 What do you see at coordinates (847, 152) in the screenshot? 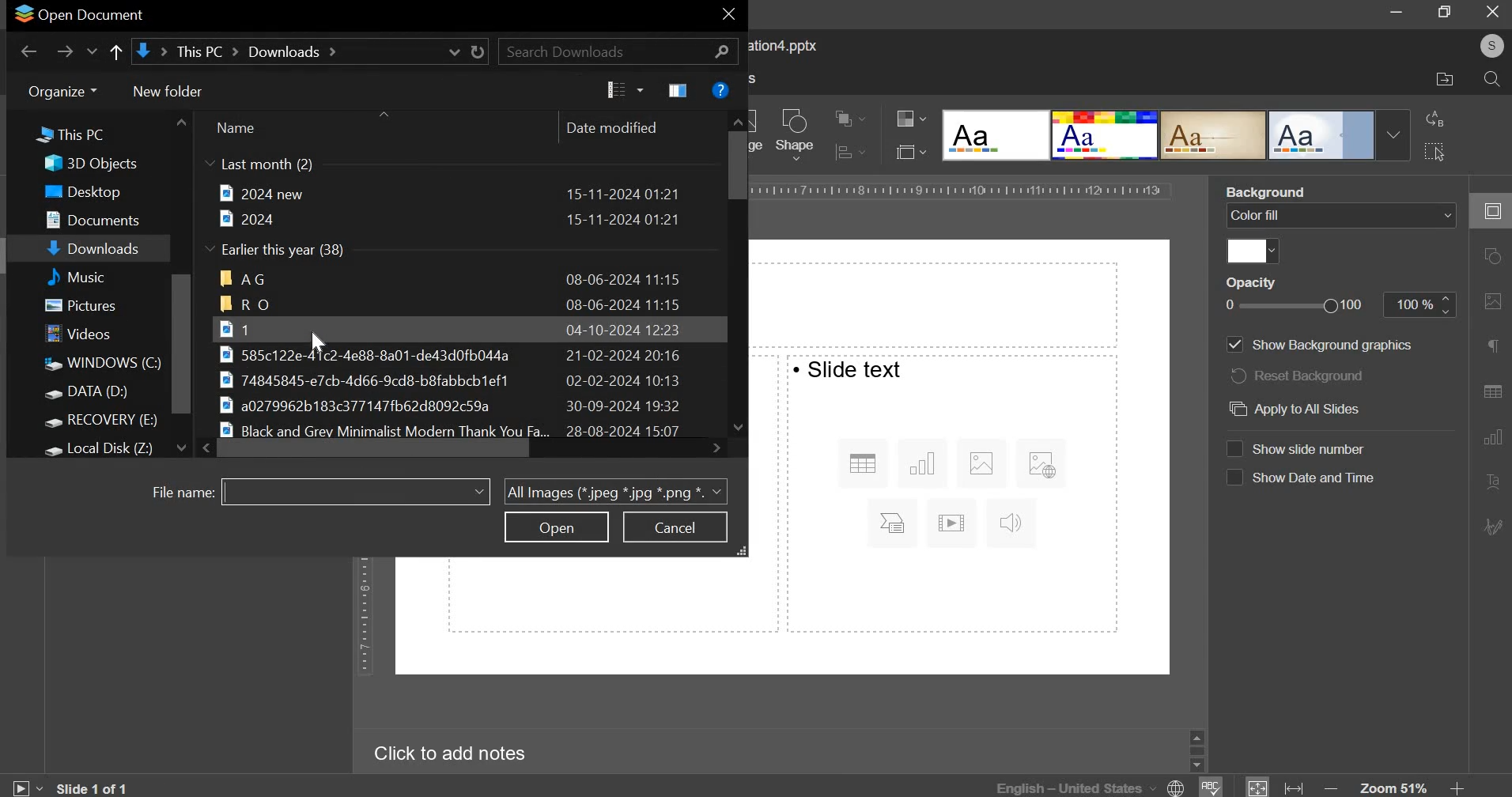
I see `distribution` at bounding box center [847, 152].